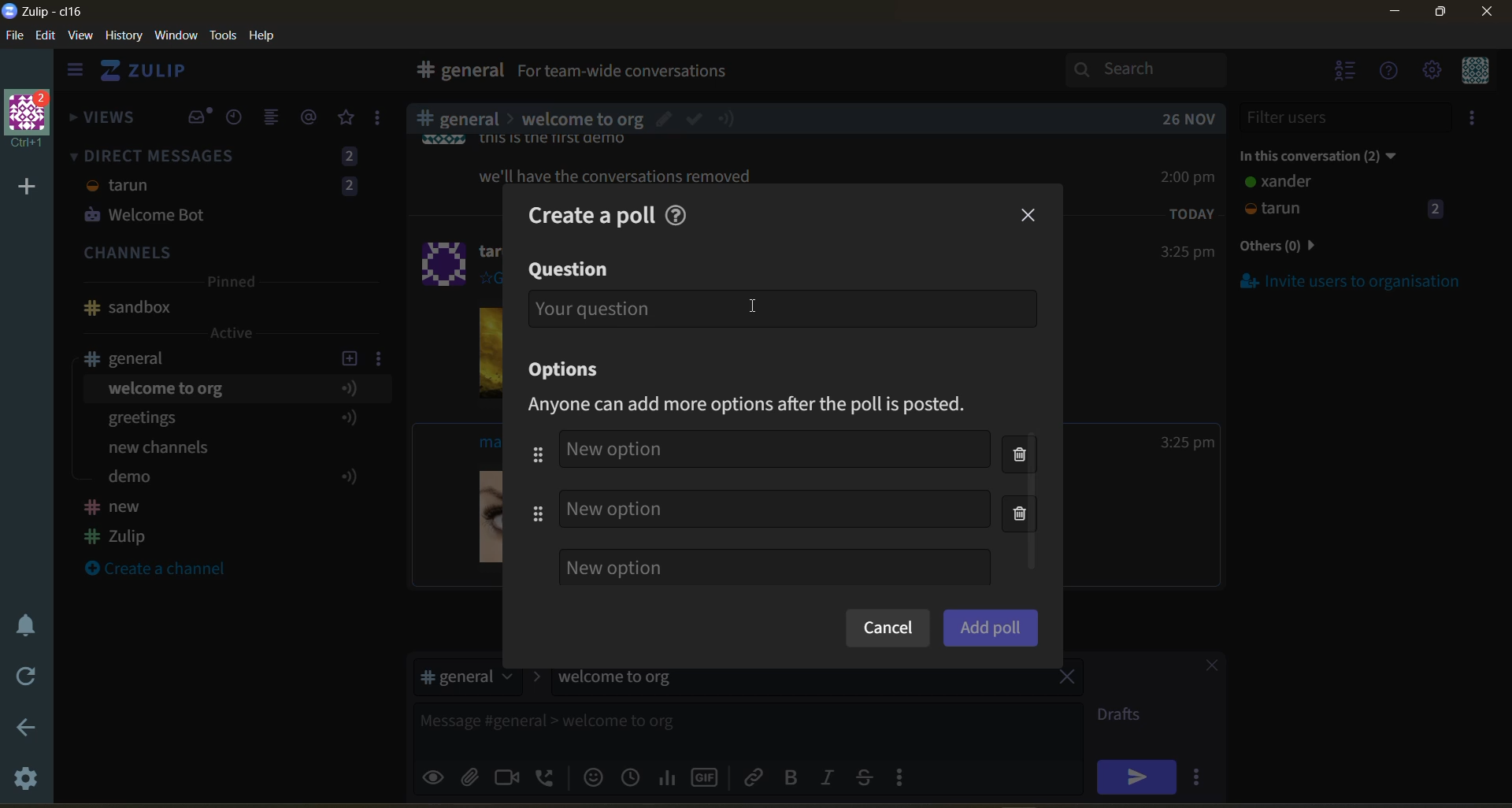 Image resolution: width=1512 pixels, height=808 pixels. Describe the element at coordinates (435, 775) in the screenshot. I see `preview` at that location.